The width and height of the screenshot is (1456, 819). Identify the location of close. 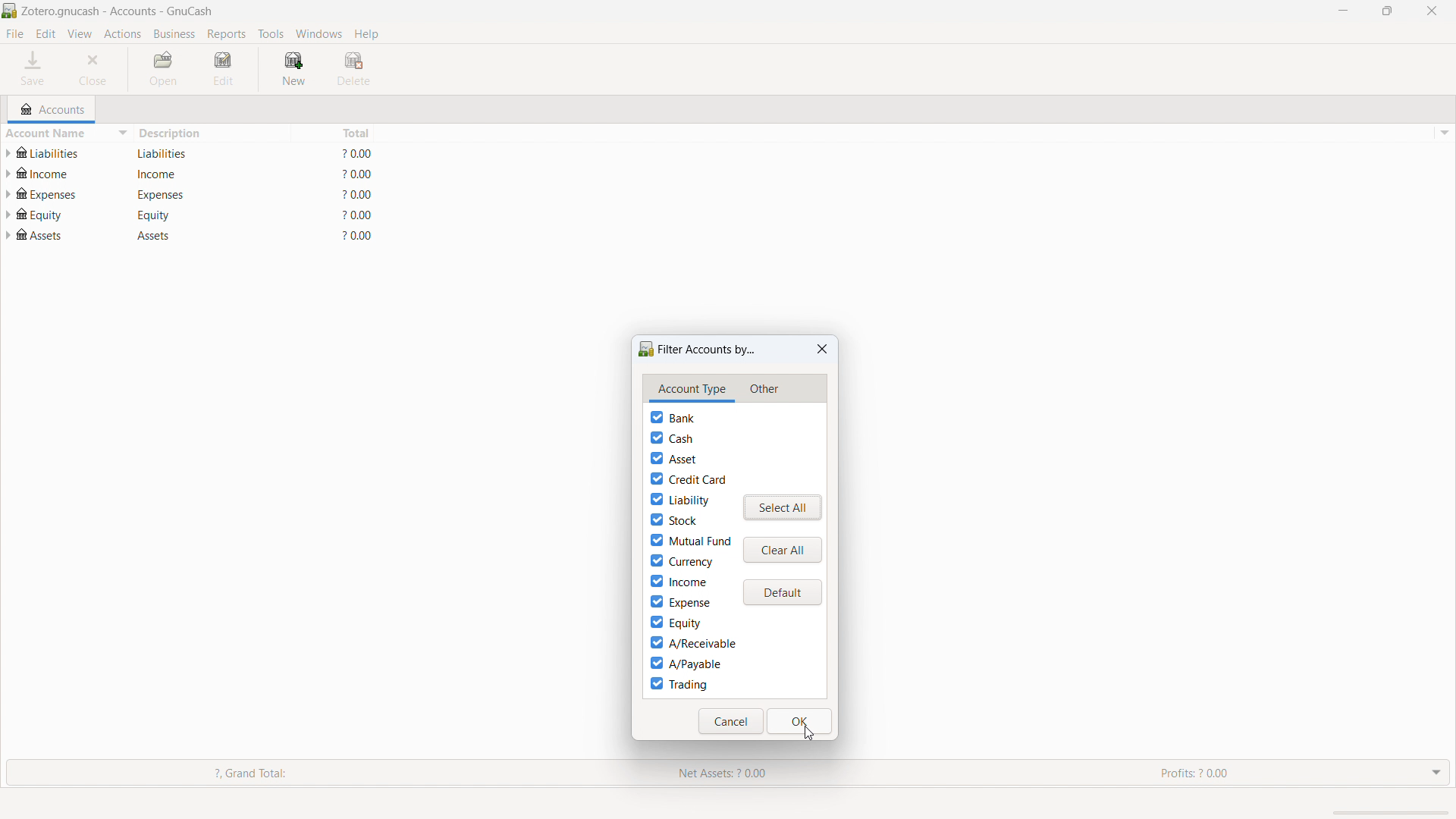
(94, 69).